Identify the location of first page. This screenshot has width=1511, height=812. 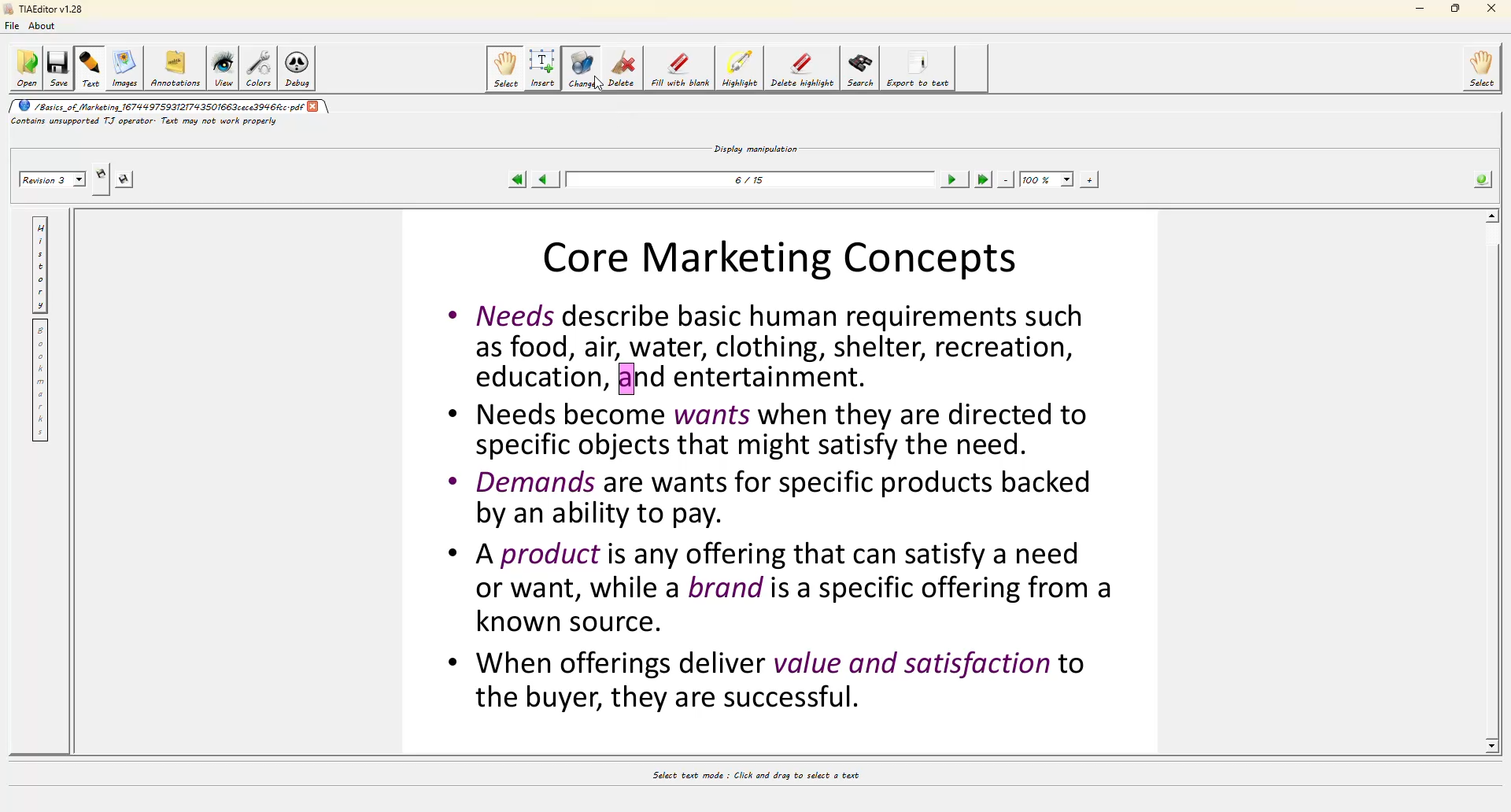
(517, 180).